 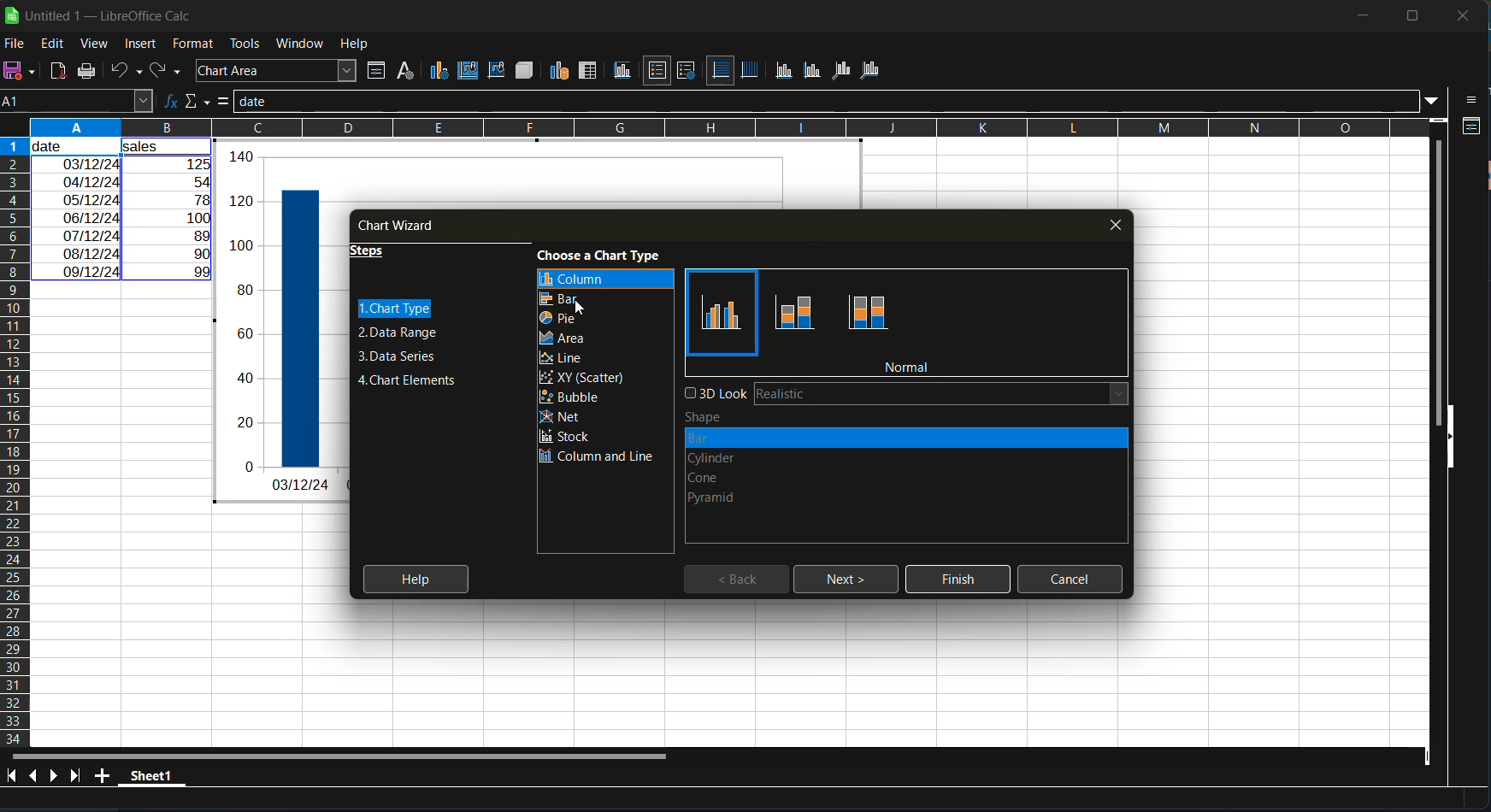 What do you see at coordinates (625, 72) in the screenshot?
I see `titles` at bounding box center [625, 72].